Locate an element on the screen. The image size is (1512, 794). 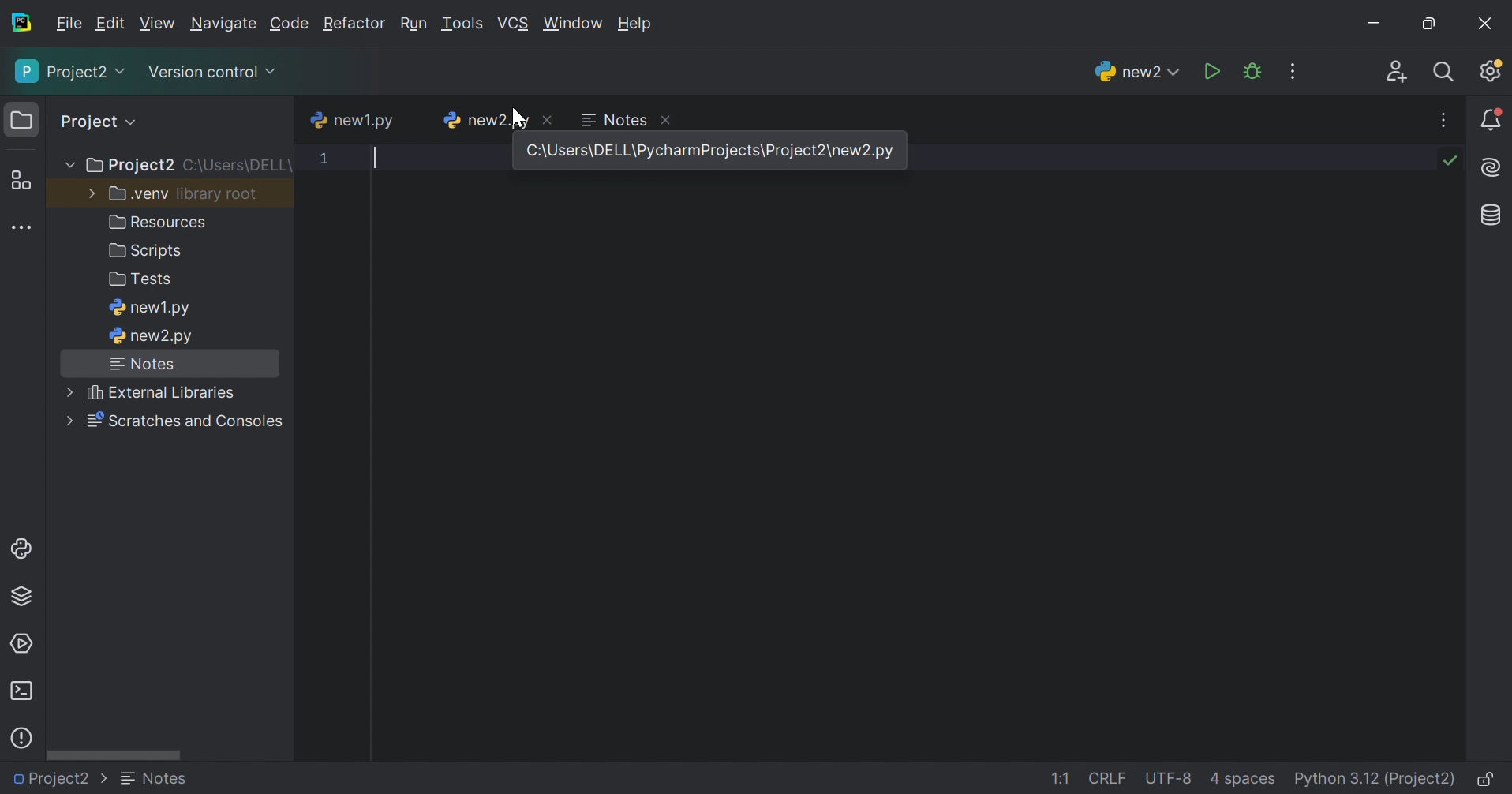
Cursor is located at coordinates (518, 116).